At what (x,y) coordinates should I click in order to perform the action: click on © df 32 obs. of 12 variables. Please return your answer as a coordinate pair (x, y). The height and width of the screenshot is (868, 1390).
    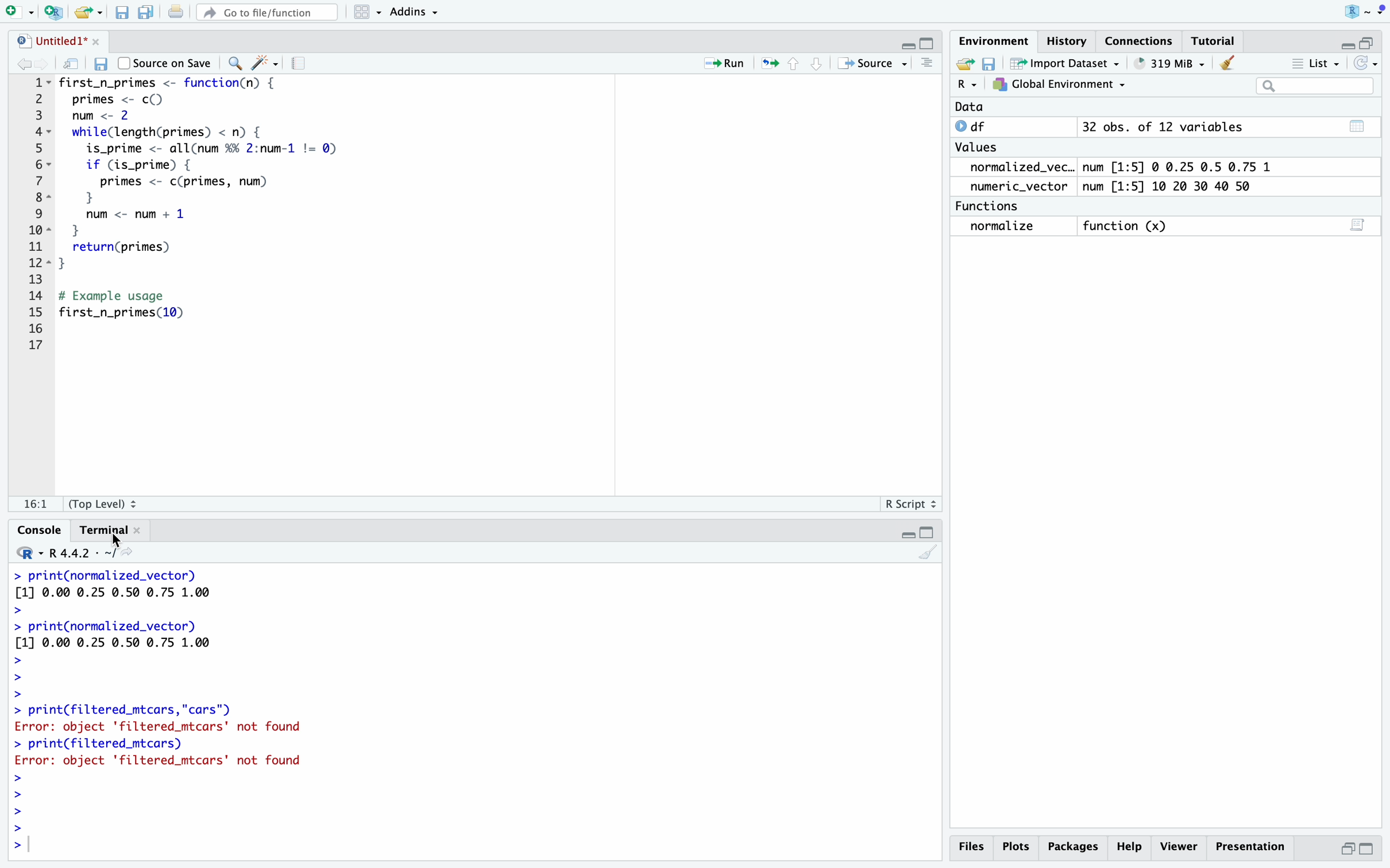
    Looking at the image, I should click on (1155, 126).